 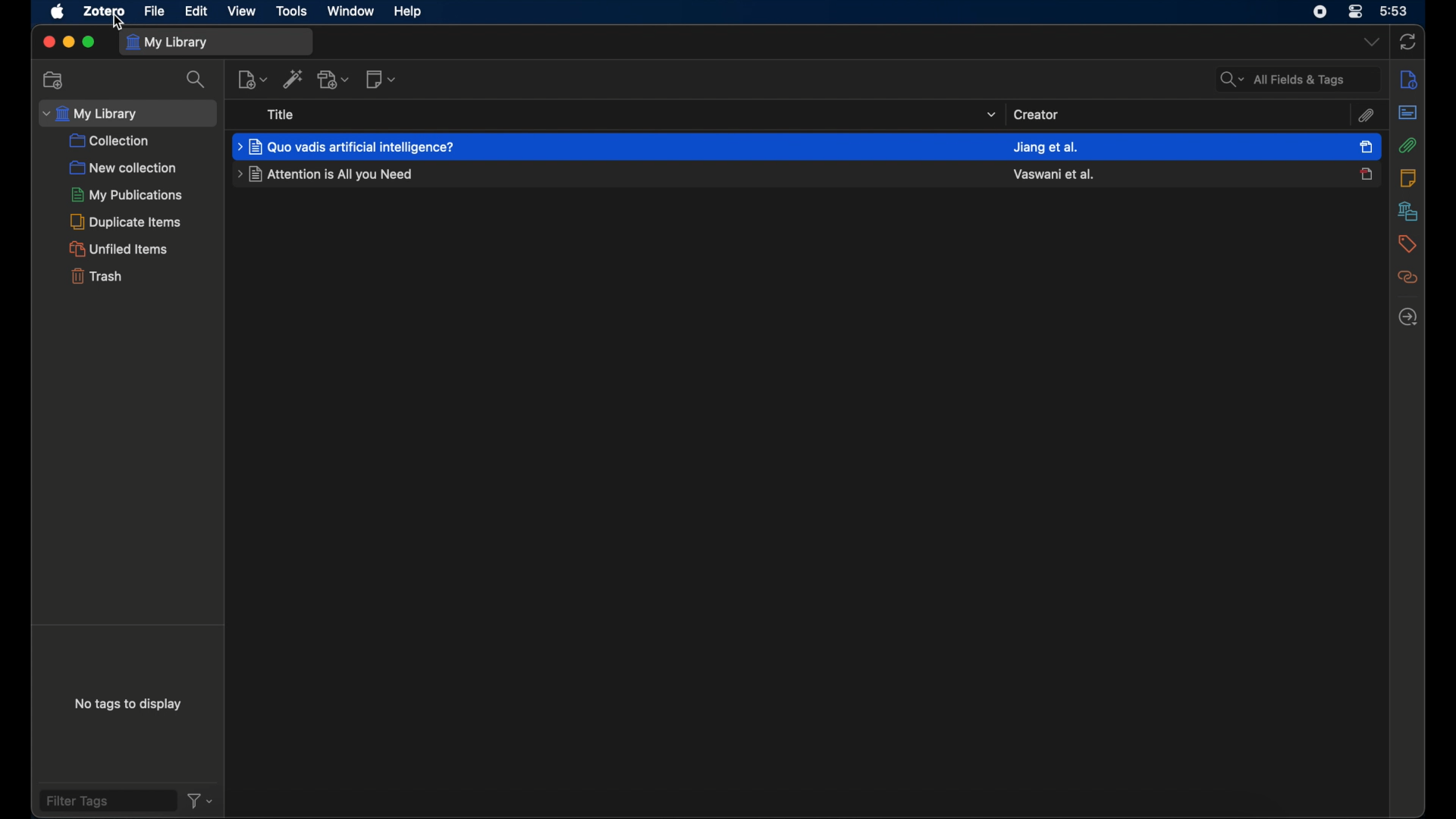 What do you see at coordinates (120, 249) in the screenshot?
I see `unified items` at bounding box center [120, 249].